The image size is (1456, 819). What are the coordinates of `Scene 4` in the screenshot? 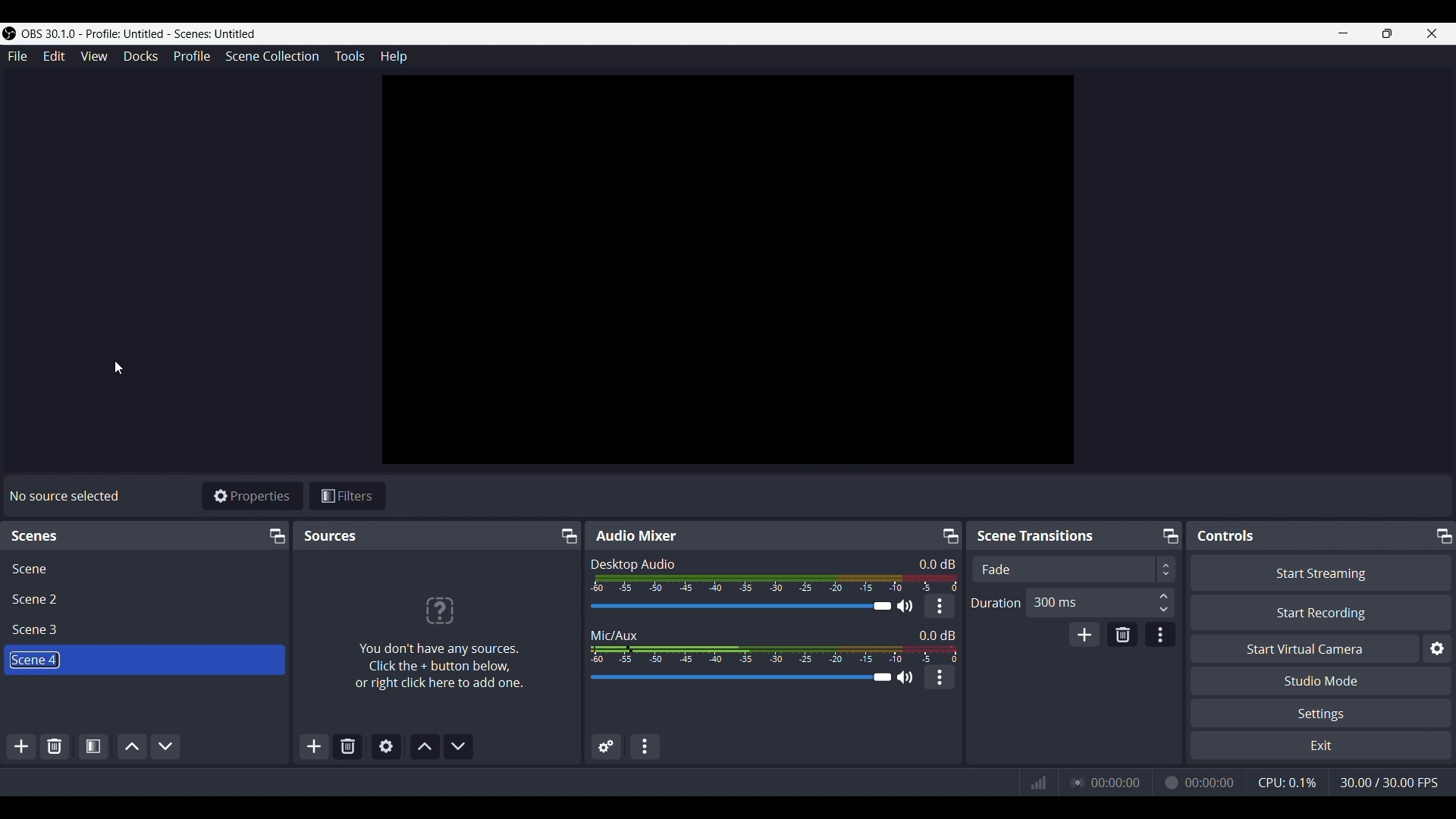 It's located at (33, 660).